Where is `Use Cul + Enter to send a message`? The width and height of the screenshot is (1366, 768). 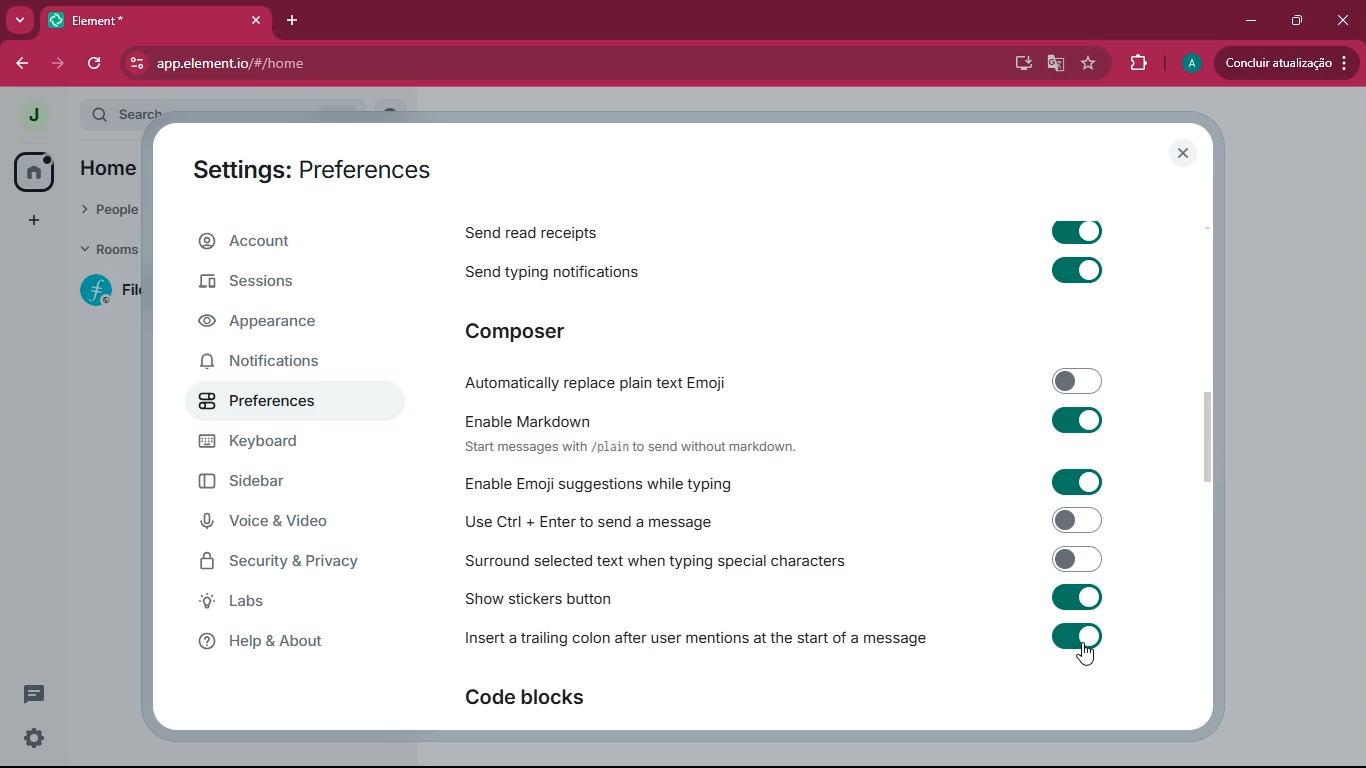 Use Cul + Enter to send a message is located at coordinates (780, 521).